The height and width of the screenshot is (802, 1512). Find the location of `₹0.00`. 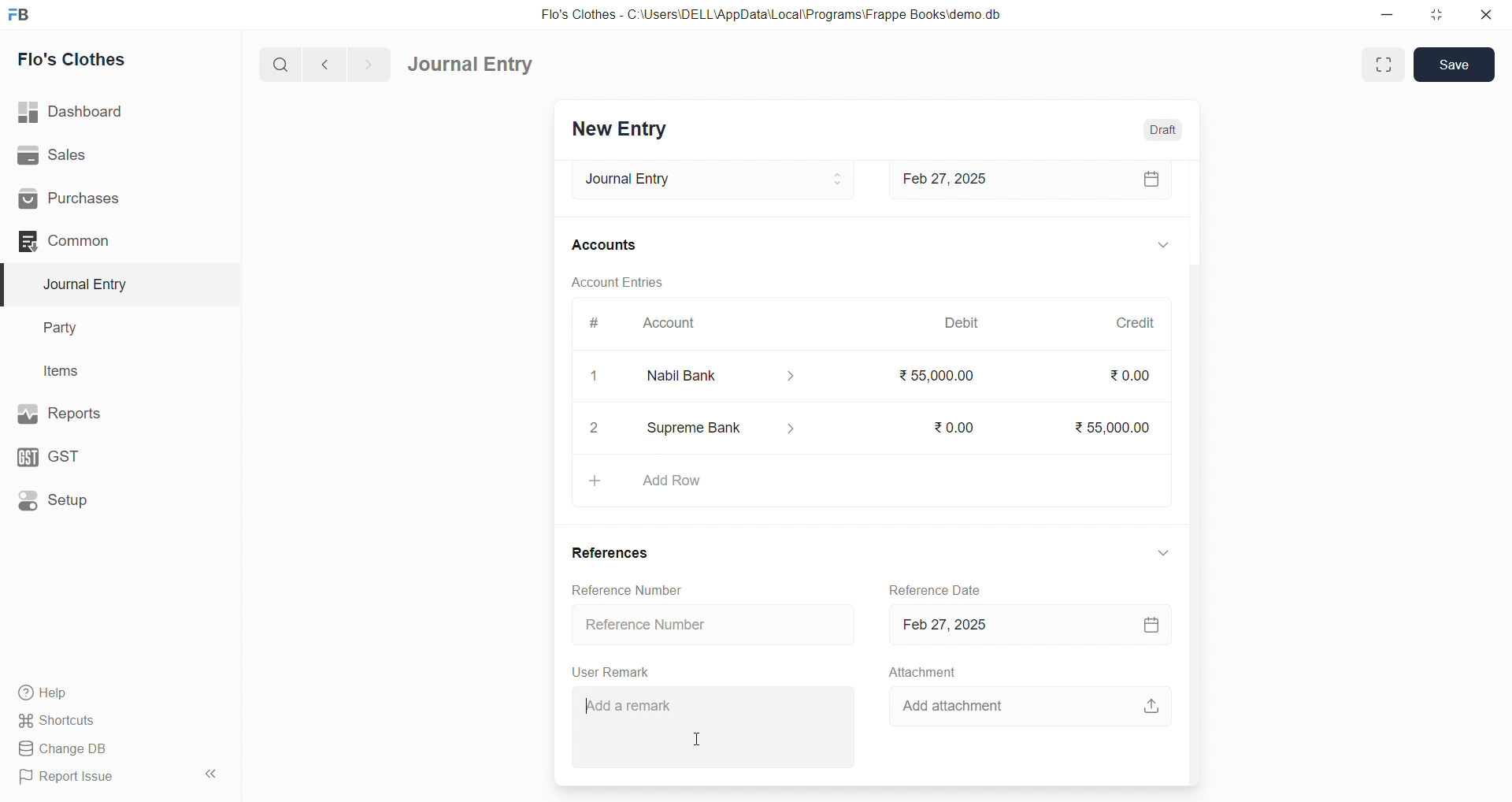

₹0.00 is located at coordinates (1126, 375).